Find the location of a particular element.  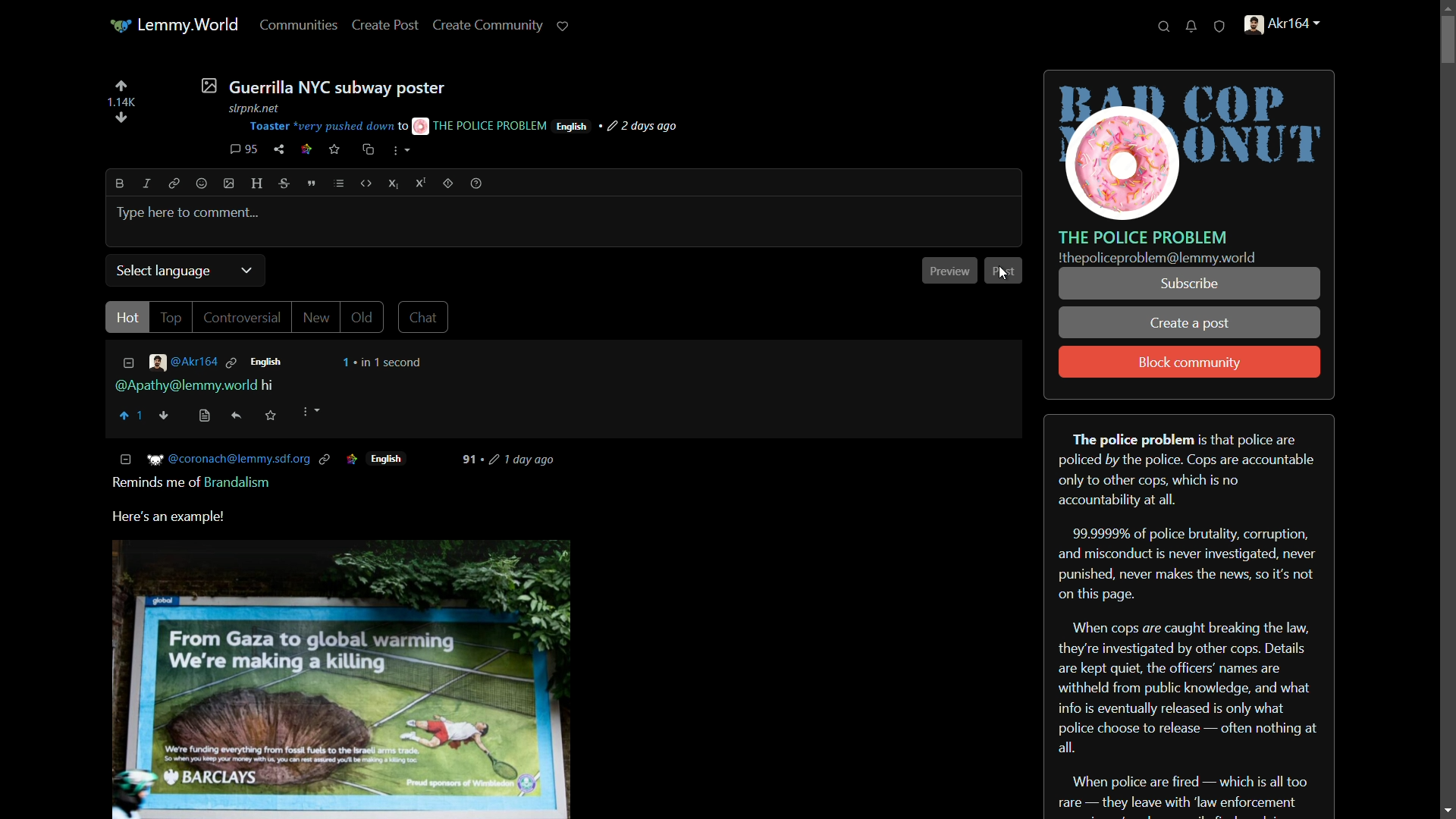

server icon is located at coordinates (1191, 146).